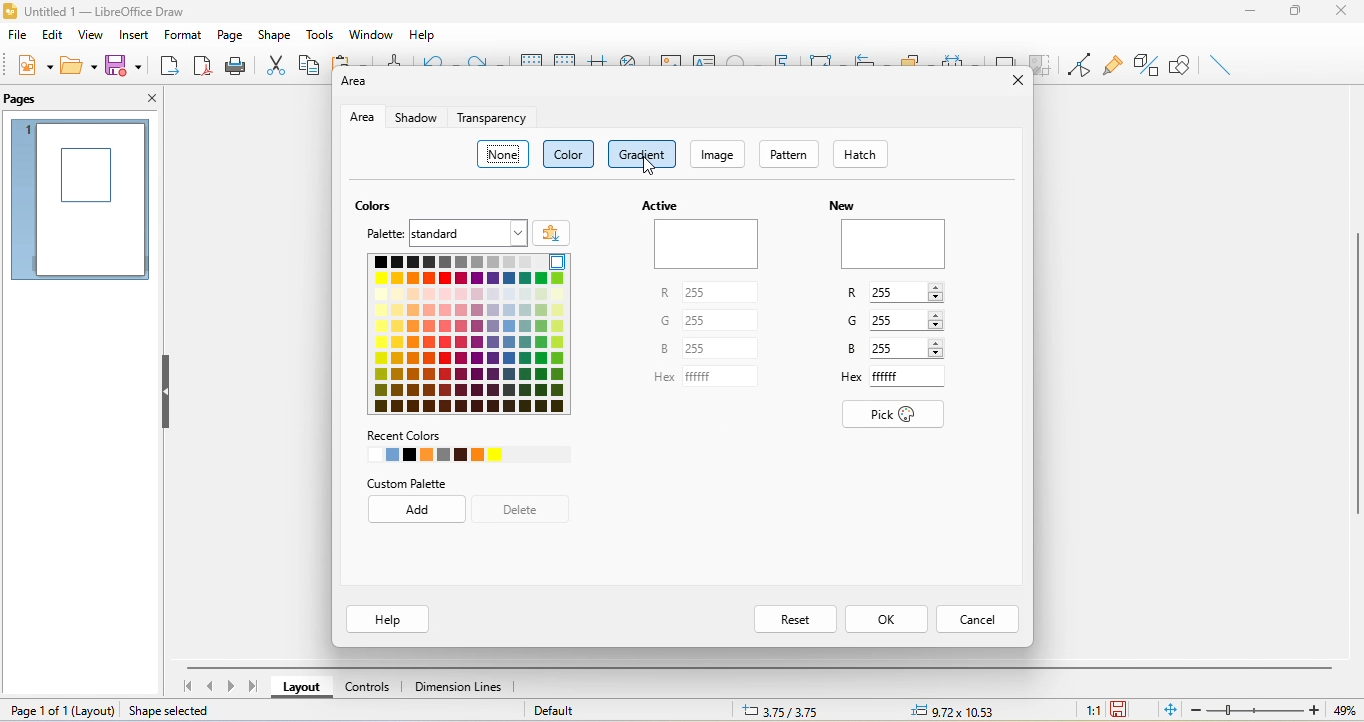 The width and height of the screenshot is (1364, 722). What do you see at coordinates (983, 619) in the screenshot?
I see `cancel` at bounding box center [983, 619].